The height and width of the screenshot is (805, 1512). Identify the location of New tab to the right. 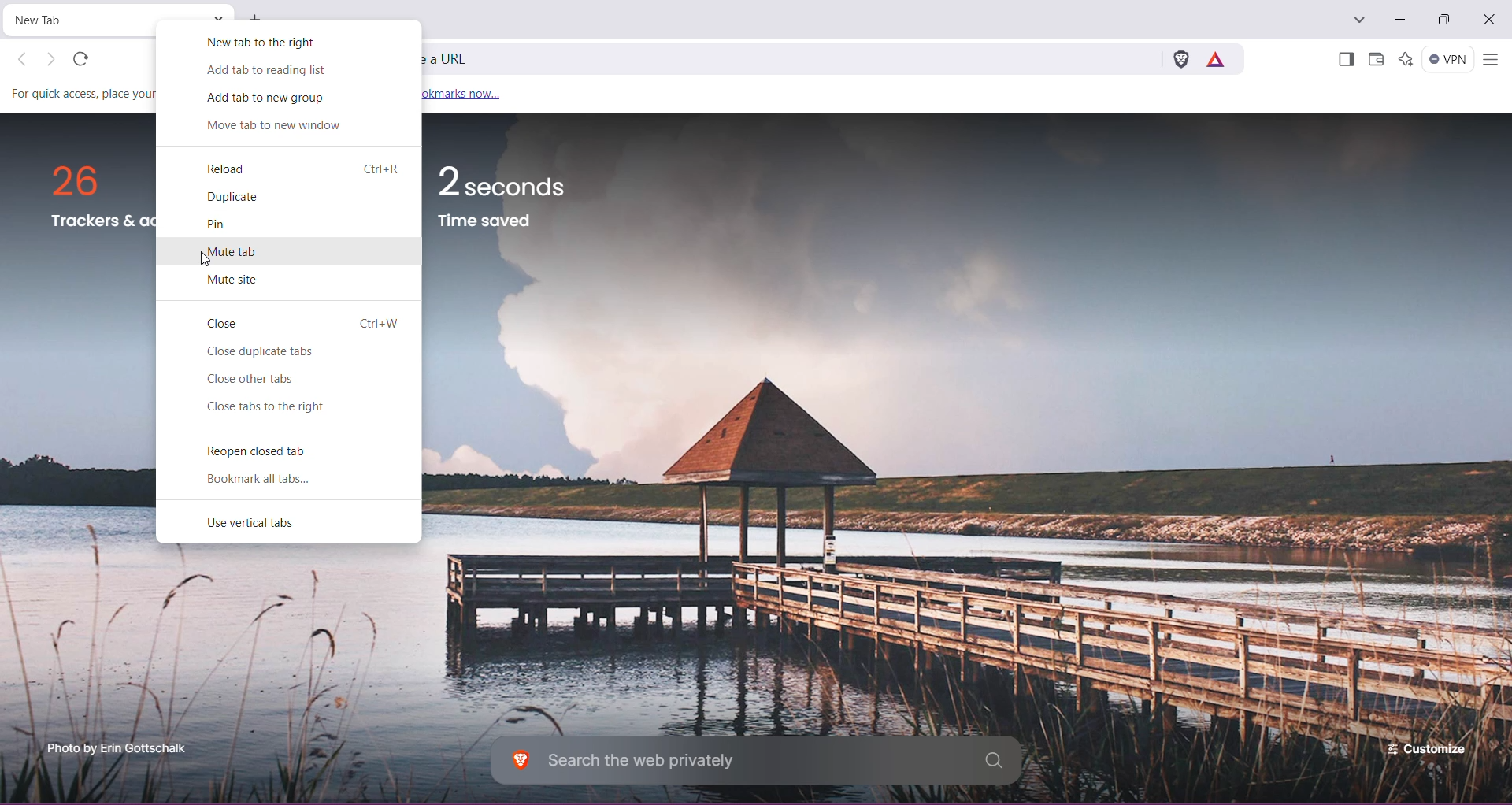
(262, 42).